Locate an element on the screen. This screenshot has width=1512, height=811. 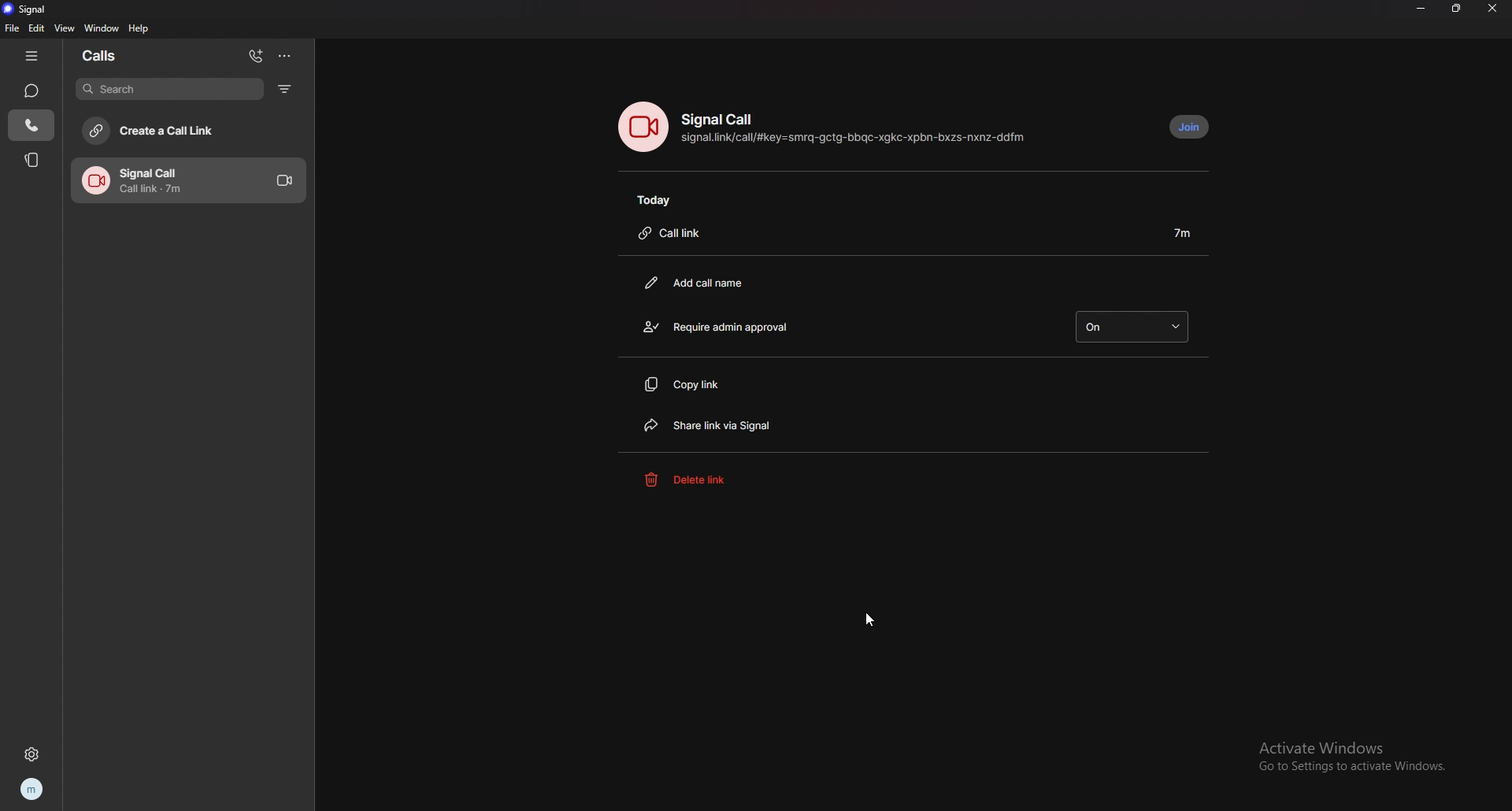
call is located at coordinates (187, 180).